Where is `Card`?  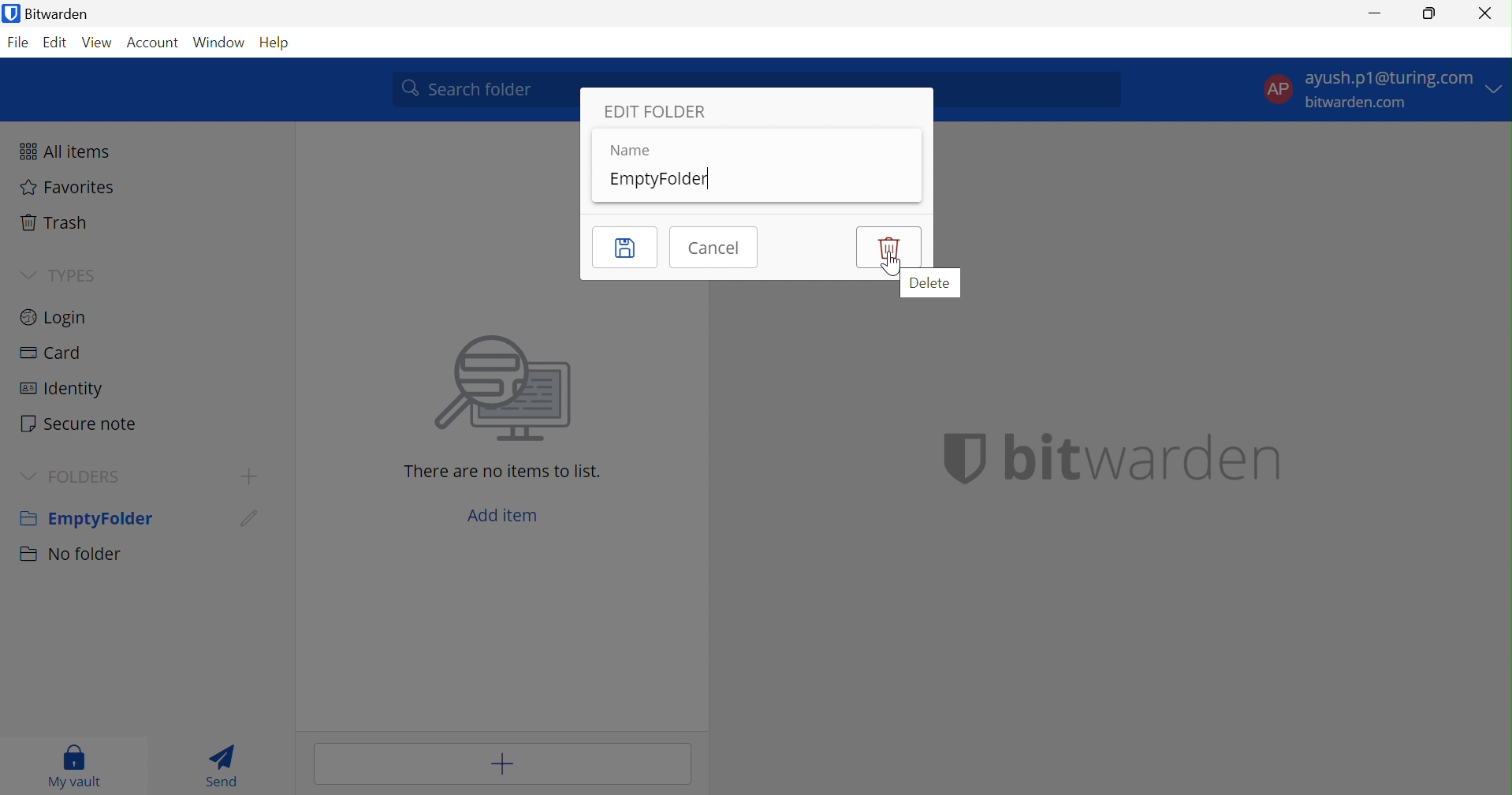 Card is located at coordinates (50, 354).